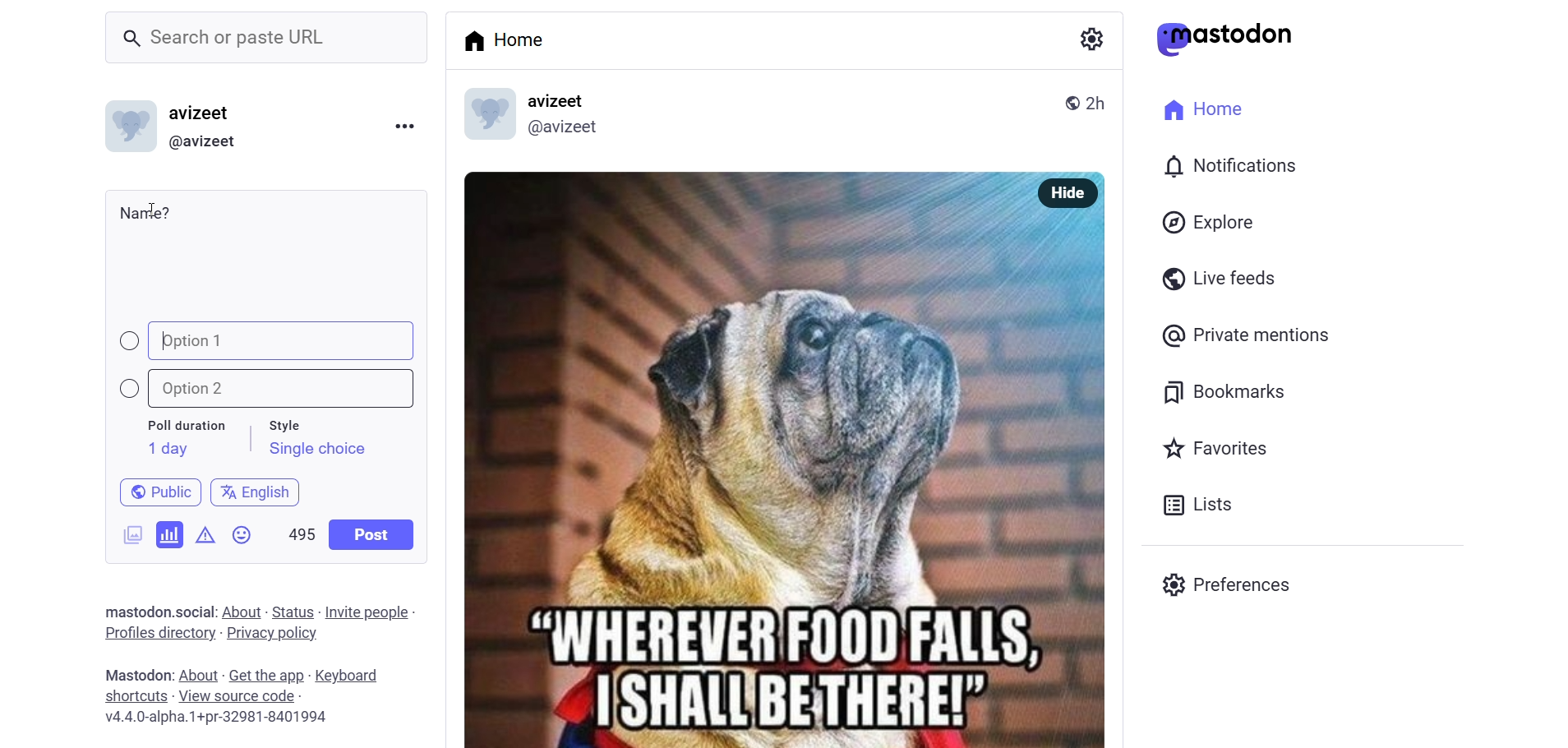  What do you see at coordinates (371, 612) in the screenshot?
I see `invite people` at bounding box center [371, 612].